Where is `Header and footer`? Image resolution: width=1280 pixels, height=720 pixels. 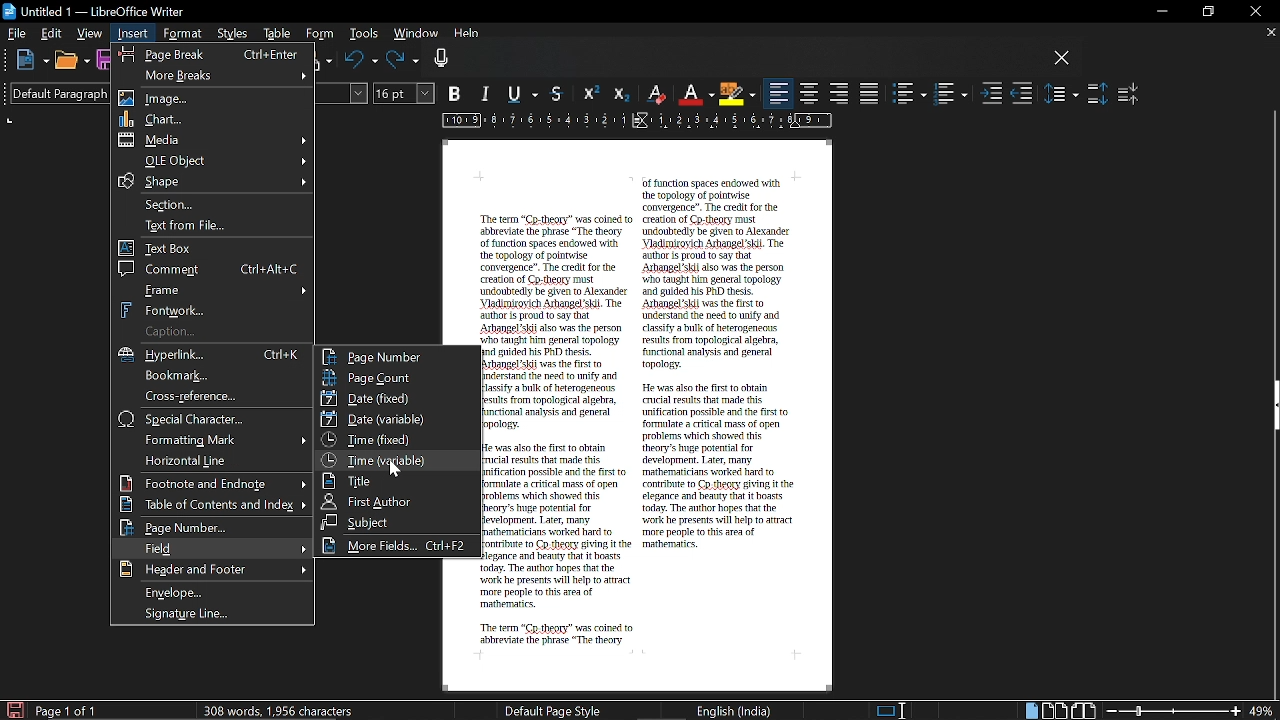 Header and footer is located at coordinates (211, 570).